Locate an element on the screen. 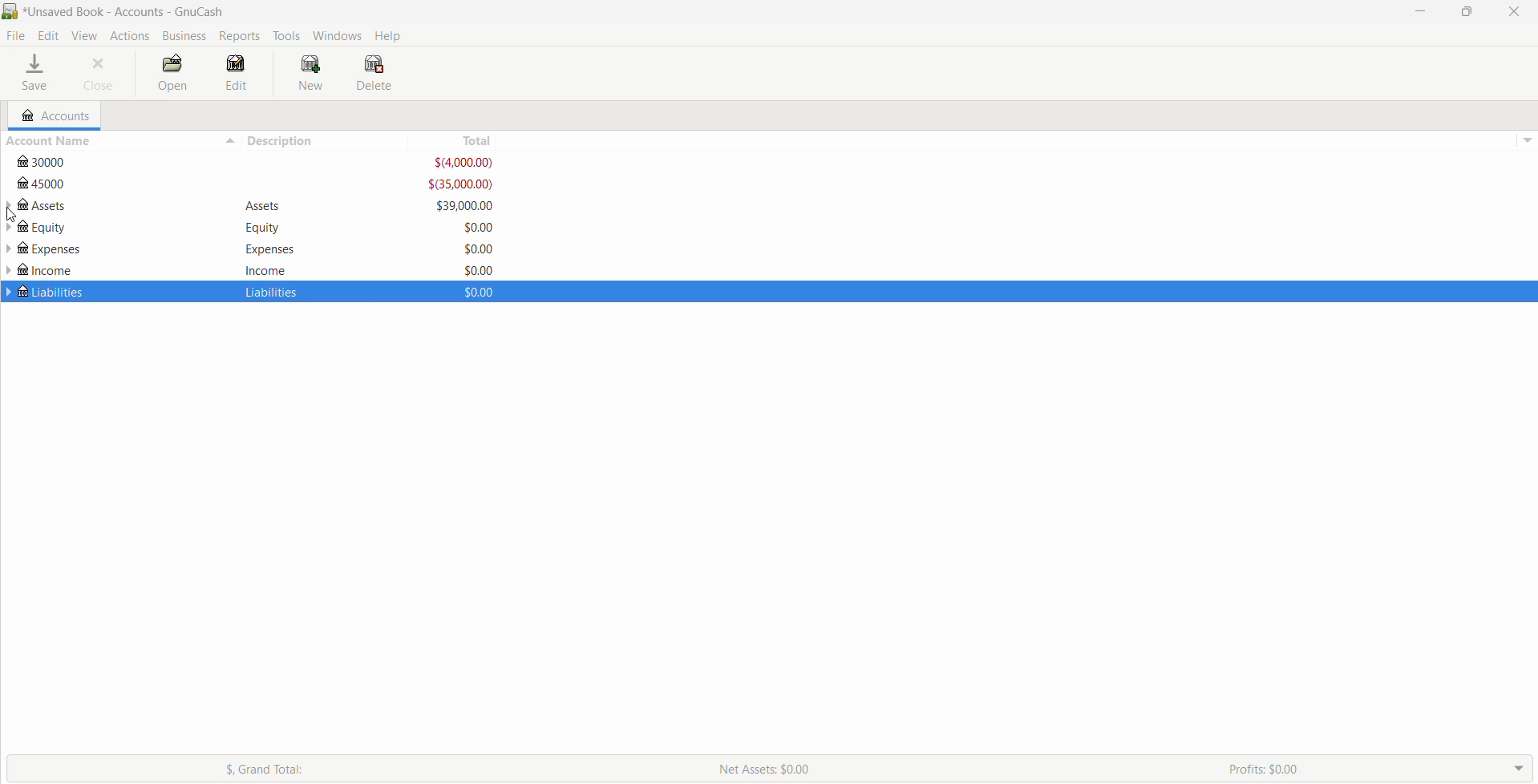 The image size is (1538, 784). Close is located at coordinates (1512, 11).